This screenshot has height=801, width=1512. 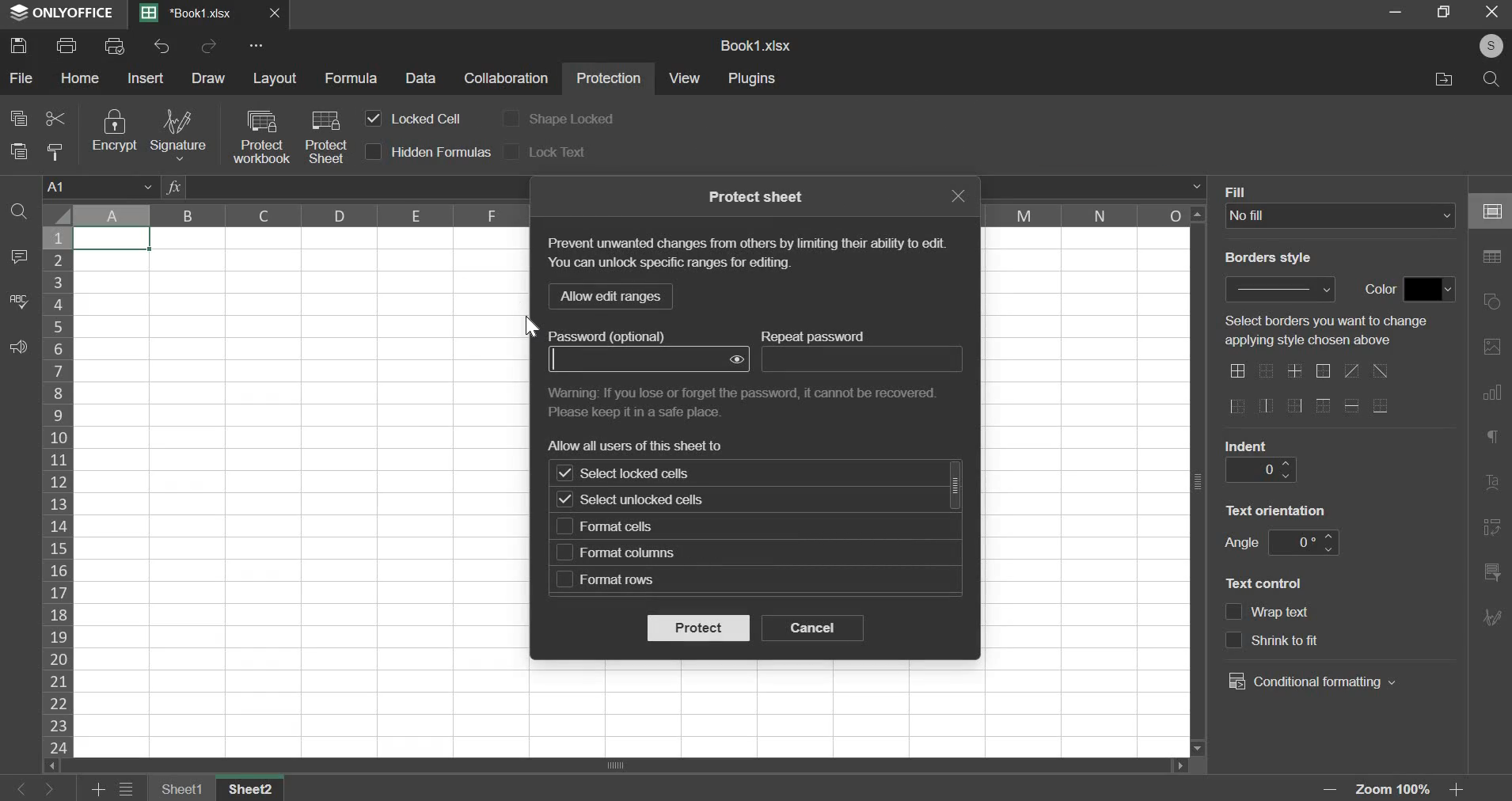 What do you see at coordinates (623, 527) in the screenshot?
I see `format cells` at bounding box center [623, 527].